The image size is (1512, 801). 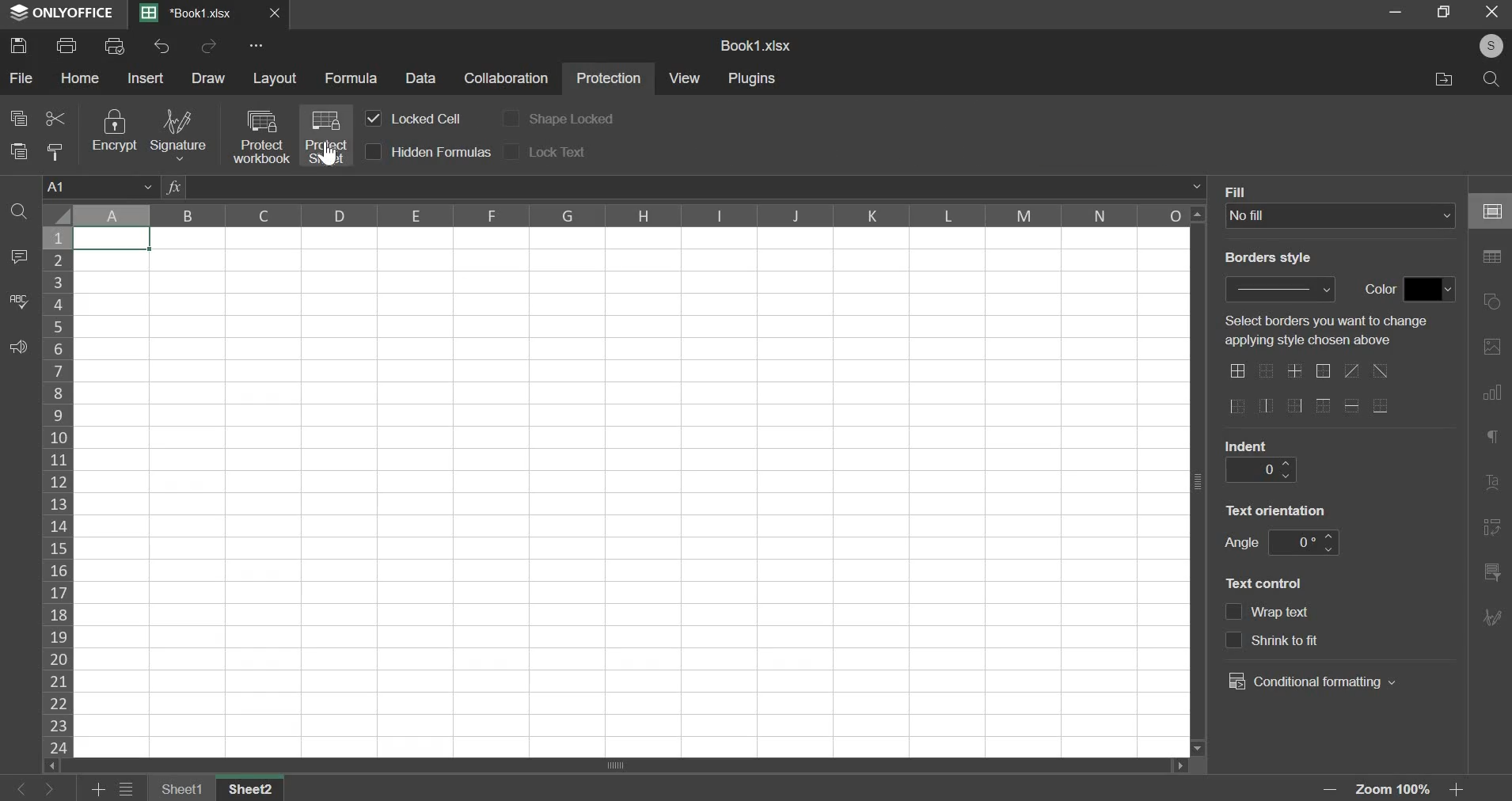 What do you see at coordinates (1398, 790) in the screenshot?
I see `Zoom 100%` at bounding box center [1398, 790].